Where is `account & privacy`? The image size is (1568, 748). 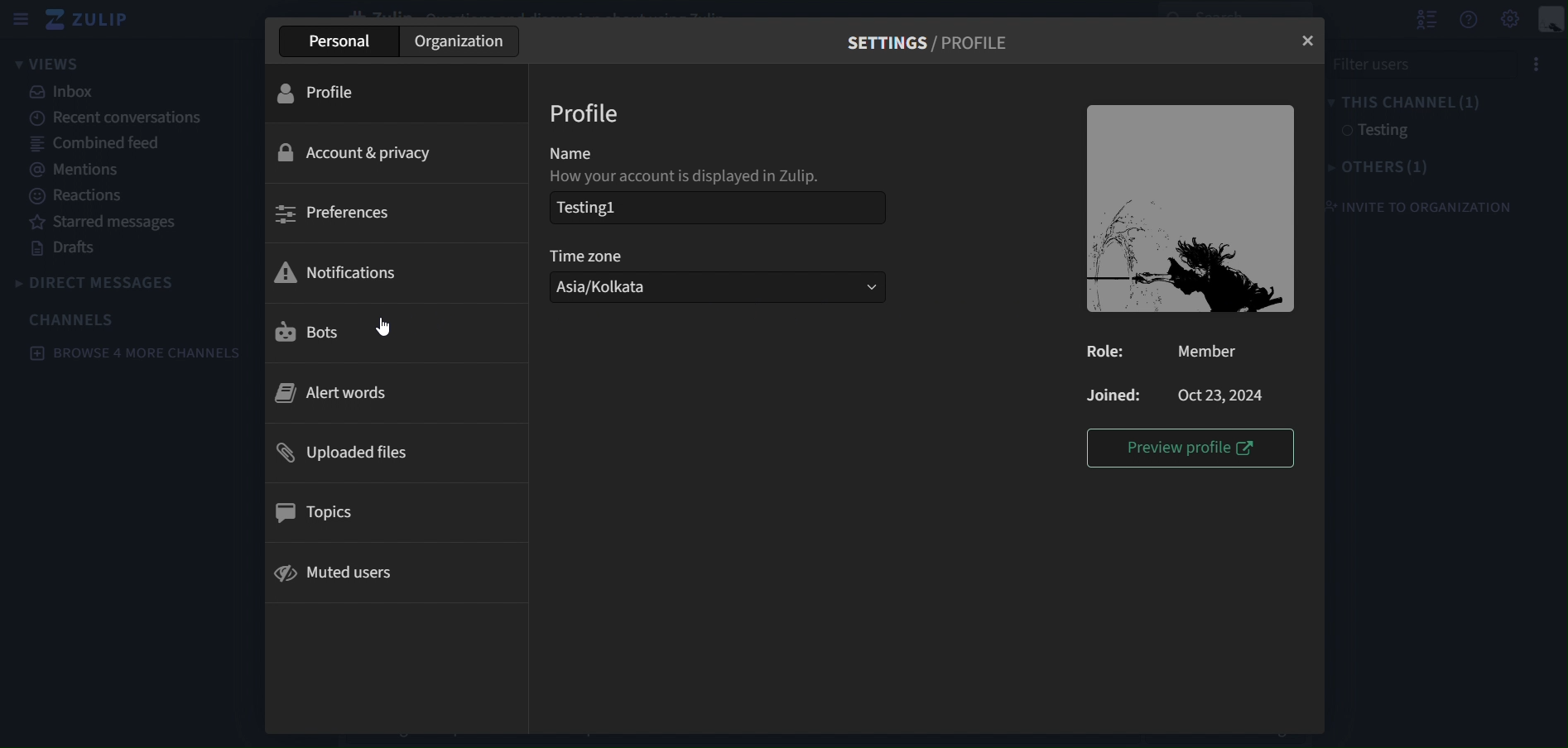
account & privacy is located at coordinates (357, 151).